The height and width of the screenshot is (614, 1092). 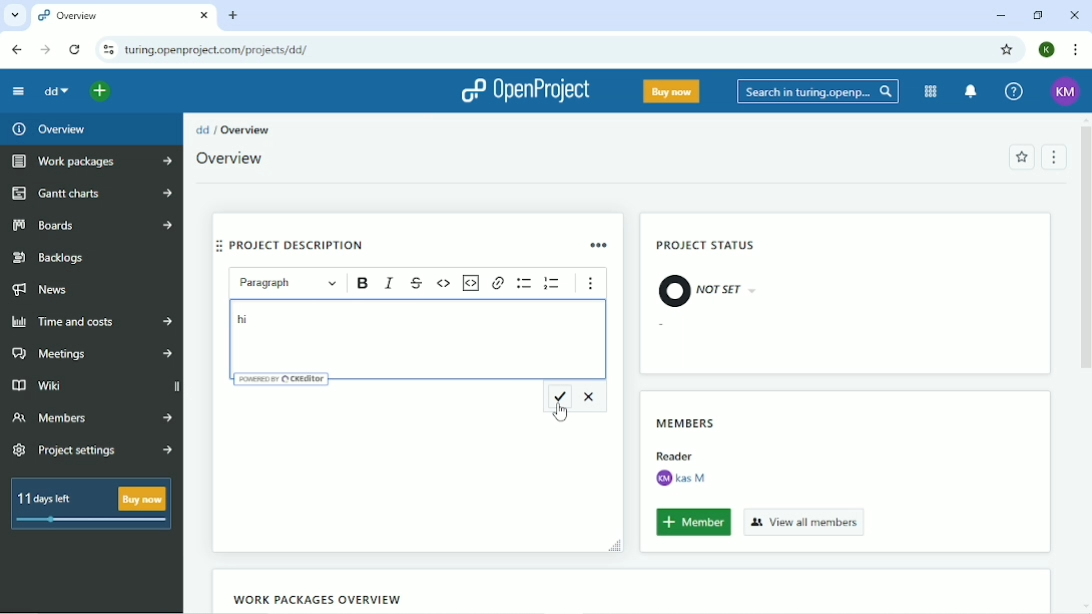 I want to click on Reload this page, so click(x=76, y=49).